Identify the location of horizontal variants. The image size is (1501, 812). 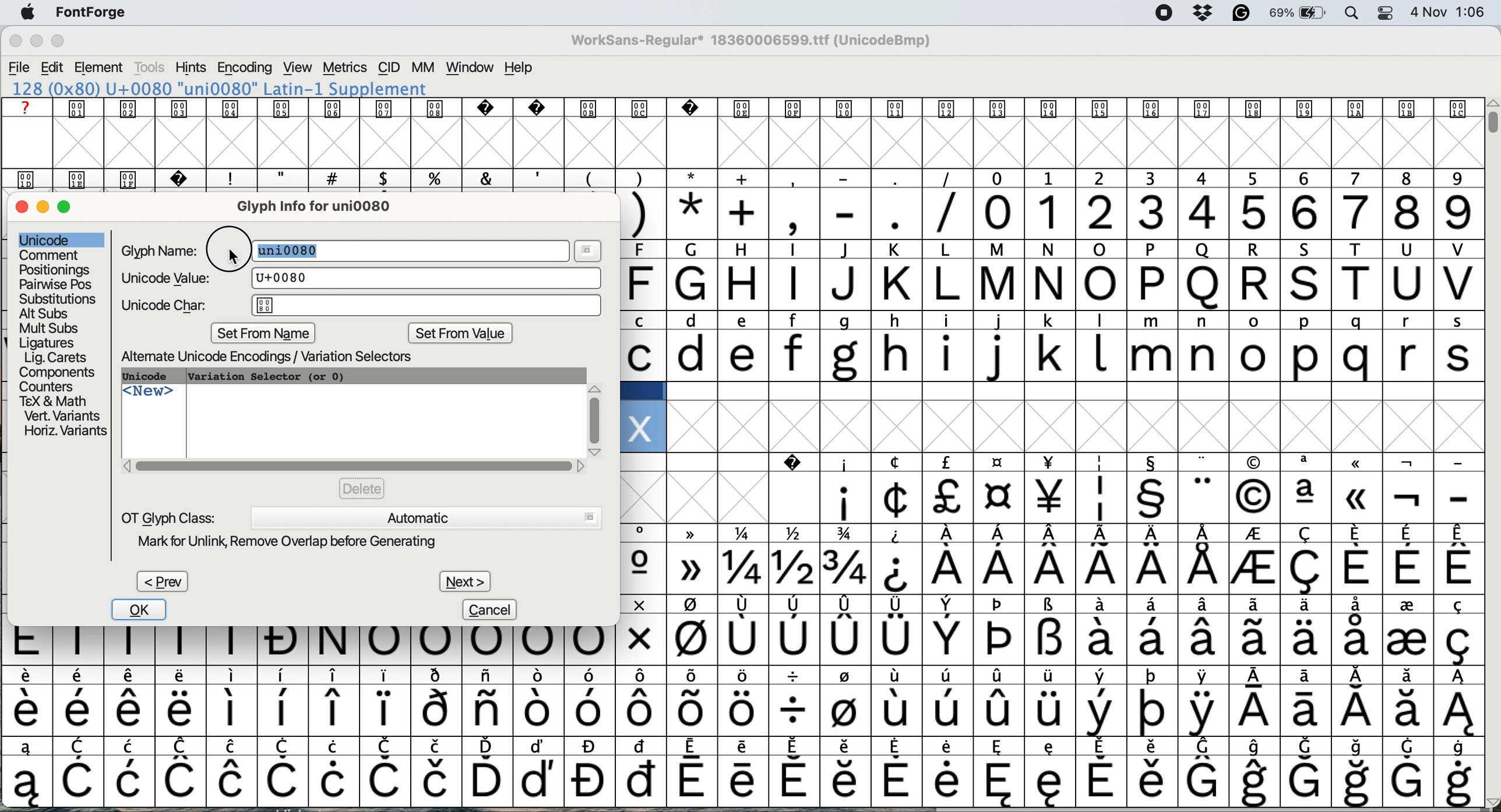
(64, 432).